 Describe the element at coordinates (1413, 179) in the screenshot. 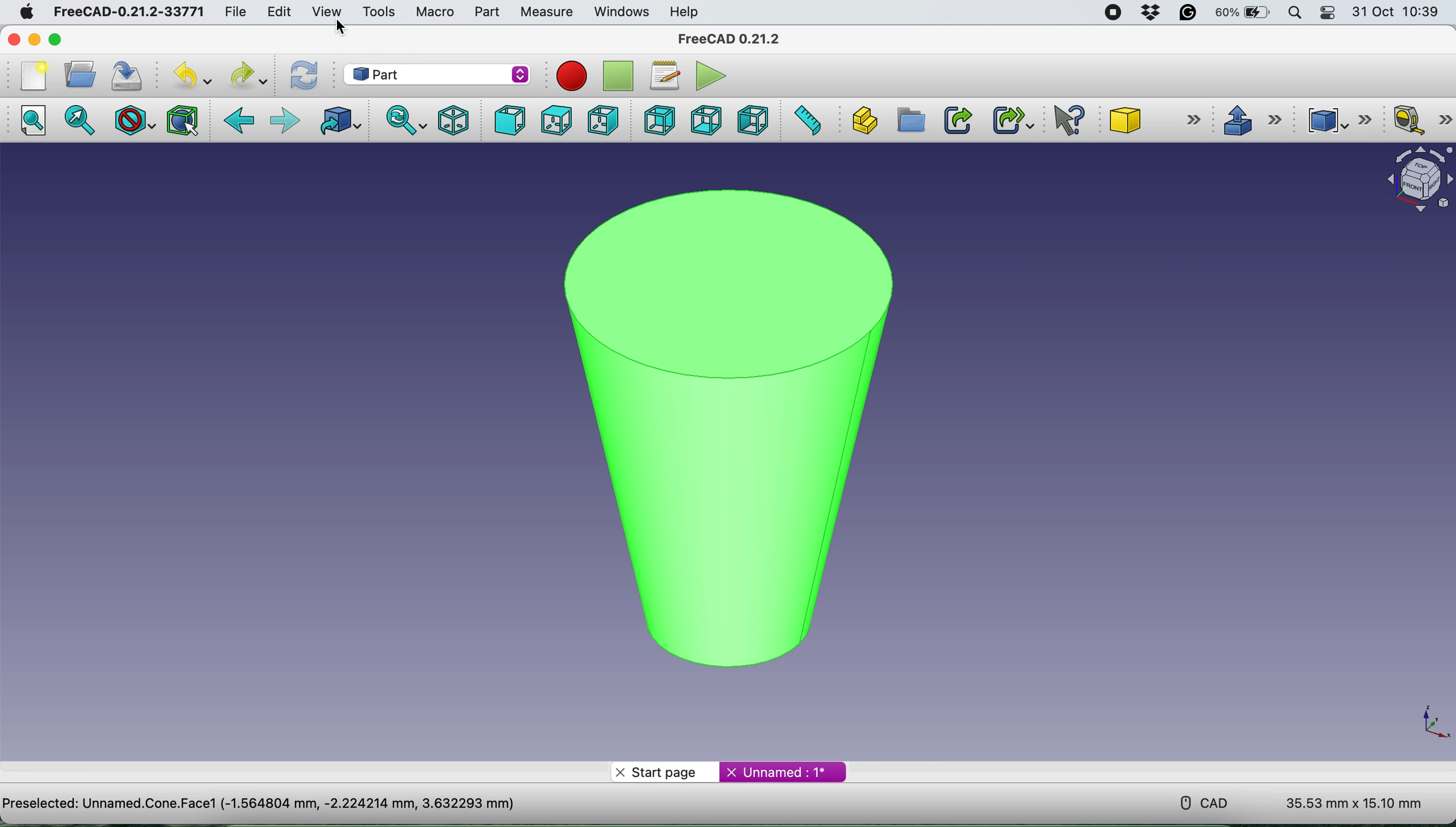

I see `object navigator` at that location.